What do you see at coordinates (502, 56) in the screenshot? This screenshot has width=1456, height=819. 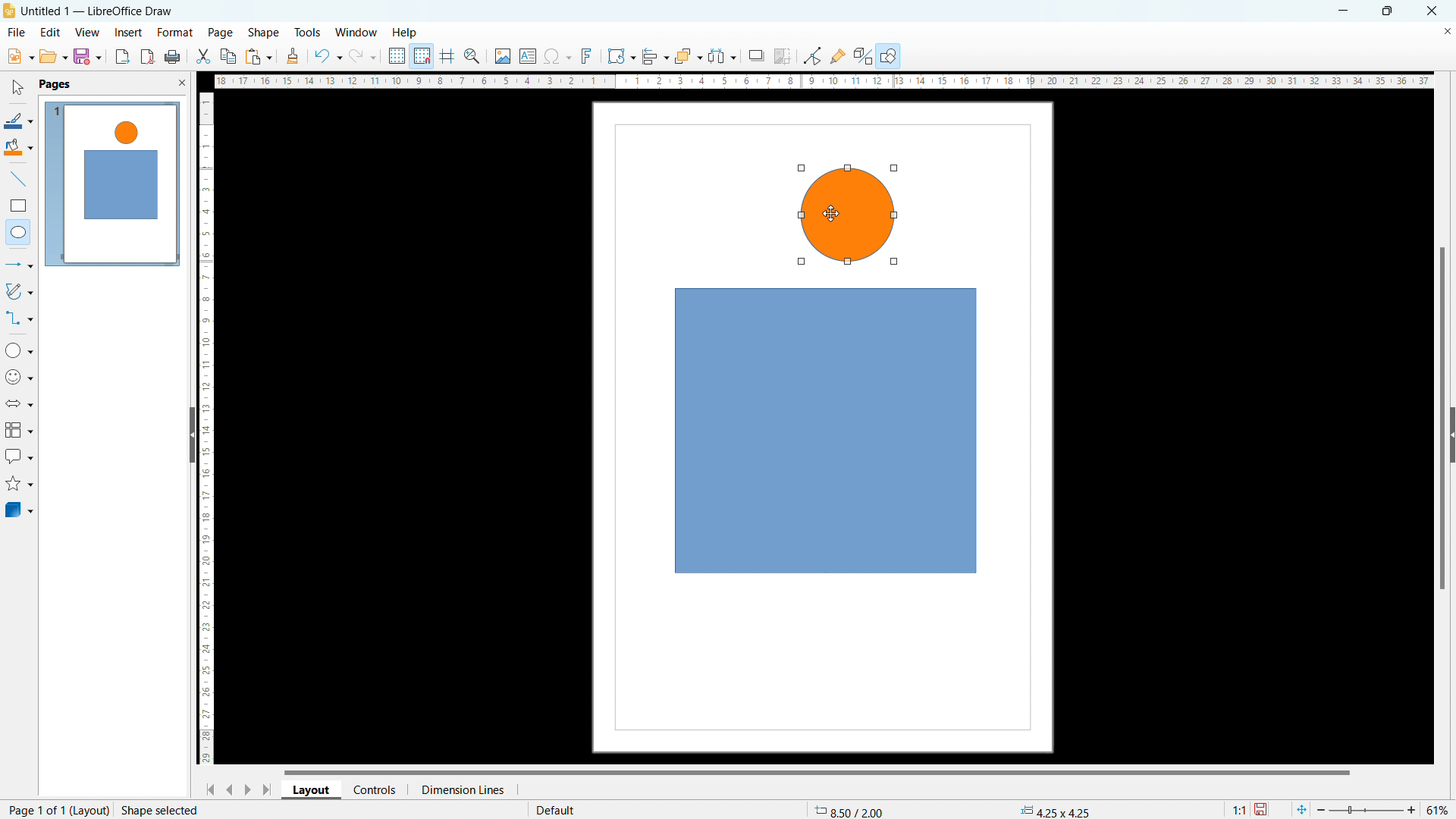 I see `insert image` at bounding box center [502, 56].